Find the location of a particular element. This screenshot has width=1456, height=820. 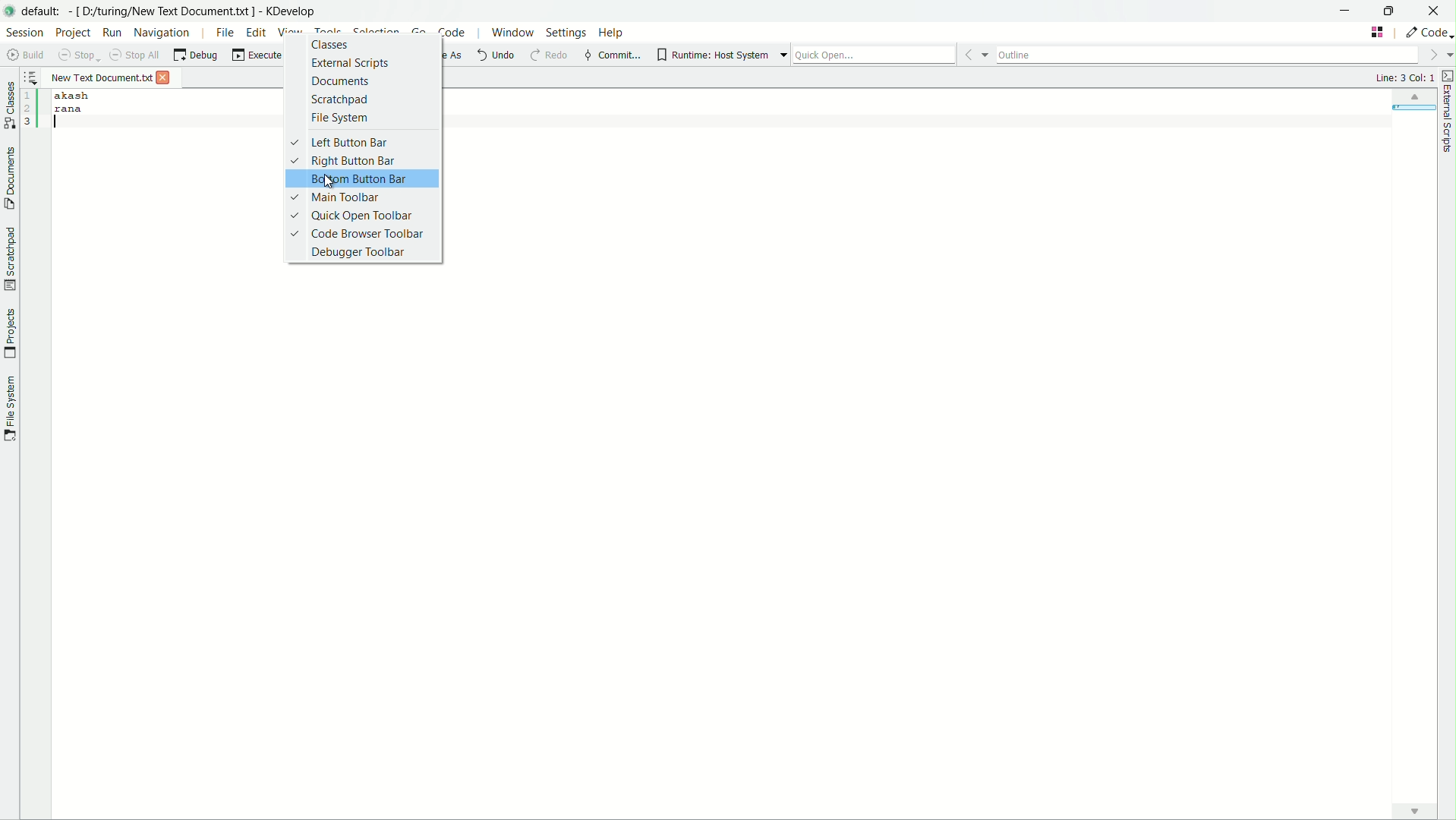

file menu is located at coordinates (225, 32).